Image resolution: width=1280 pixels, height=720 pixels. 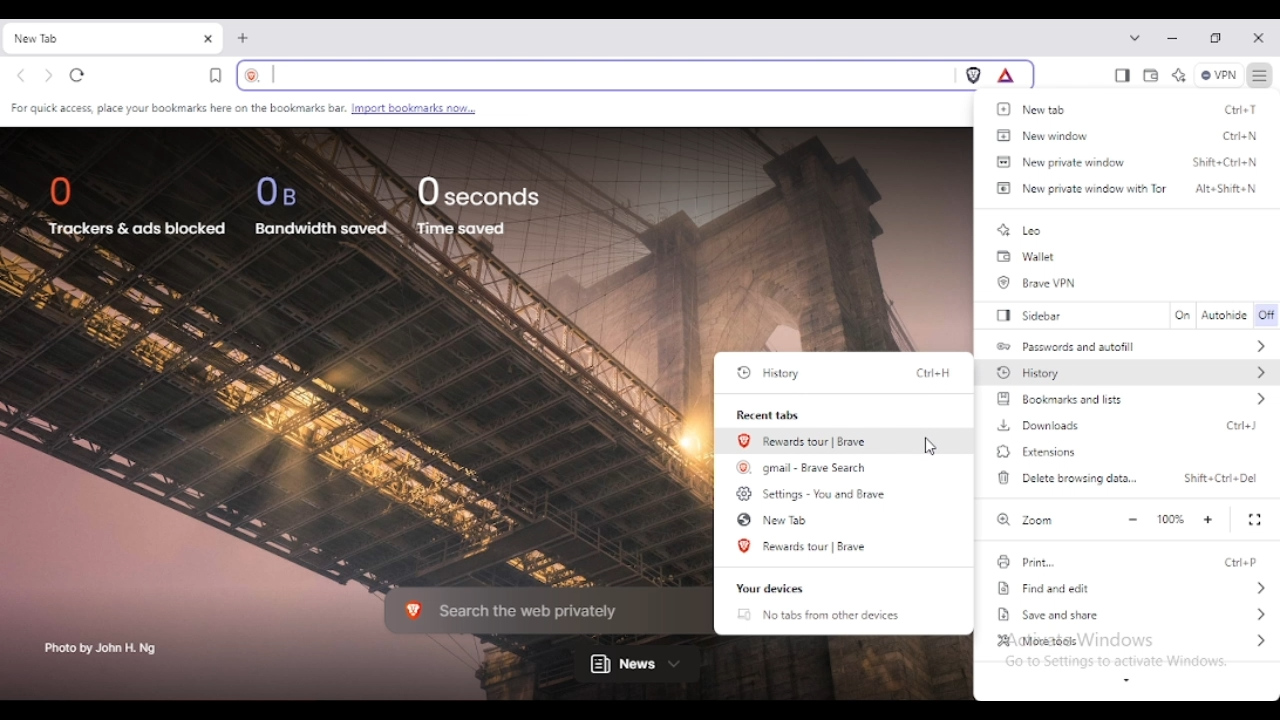 What do you see at coordinates (1261, 75) in the screenshot?
I see `customize and control brave` at bounding box center [1261, 75].